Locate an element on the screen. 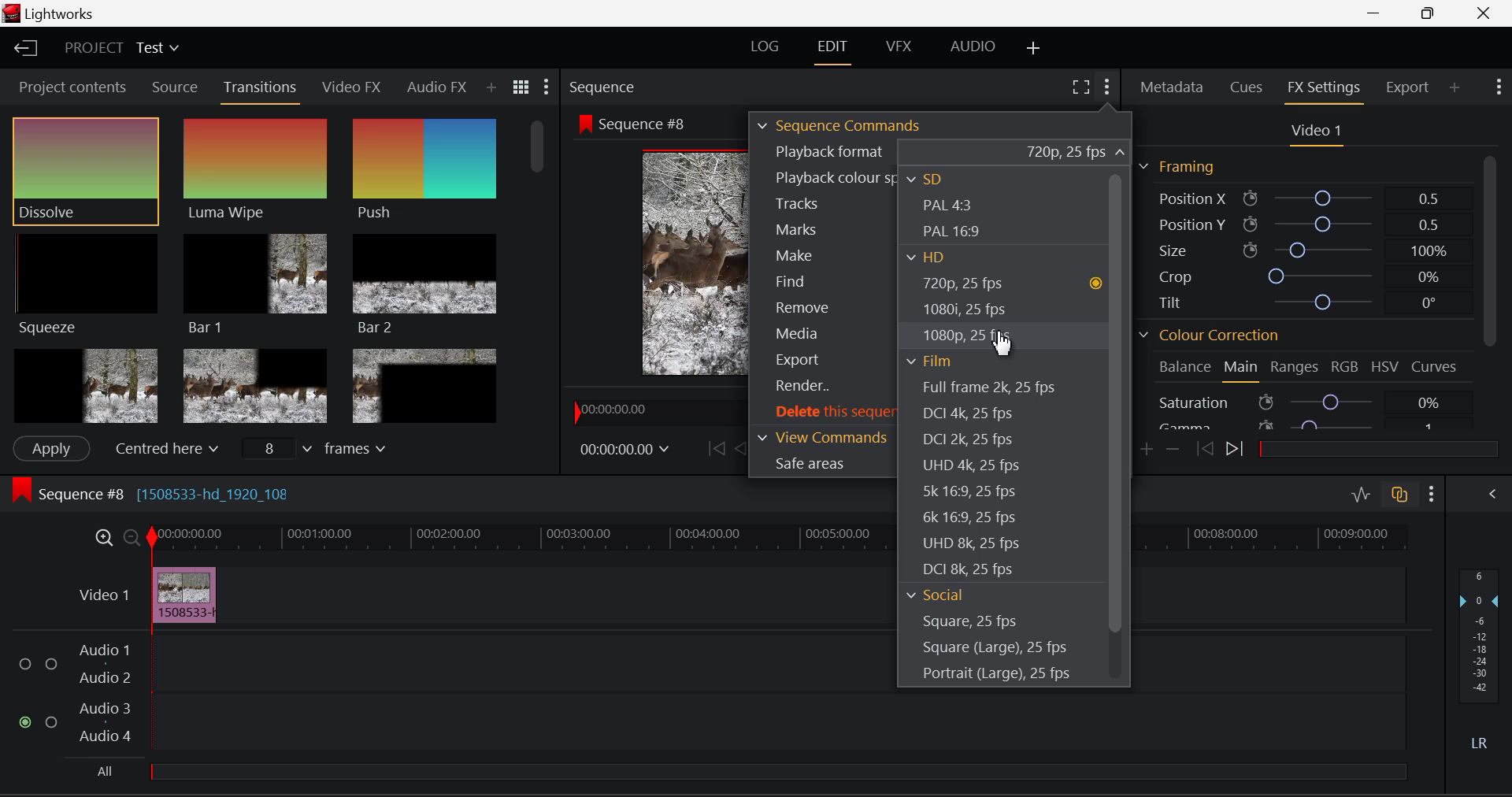 Image resolution: width=1512 pixels, height=797 pixels. Source is located at coordinates (175, 89).